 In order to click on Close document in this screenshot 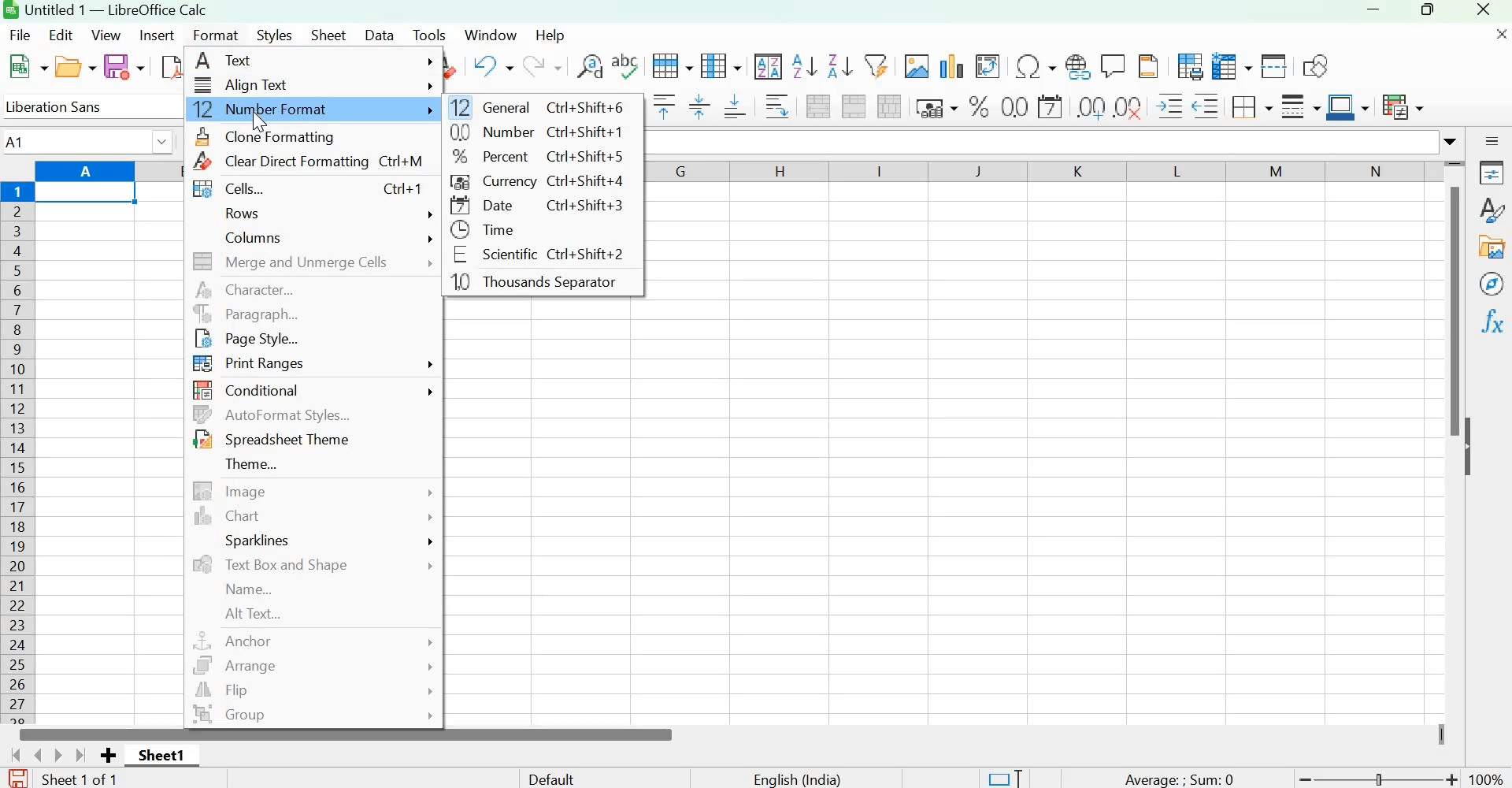, I will do `click(1493, 39)`.